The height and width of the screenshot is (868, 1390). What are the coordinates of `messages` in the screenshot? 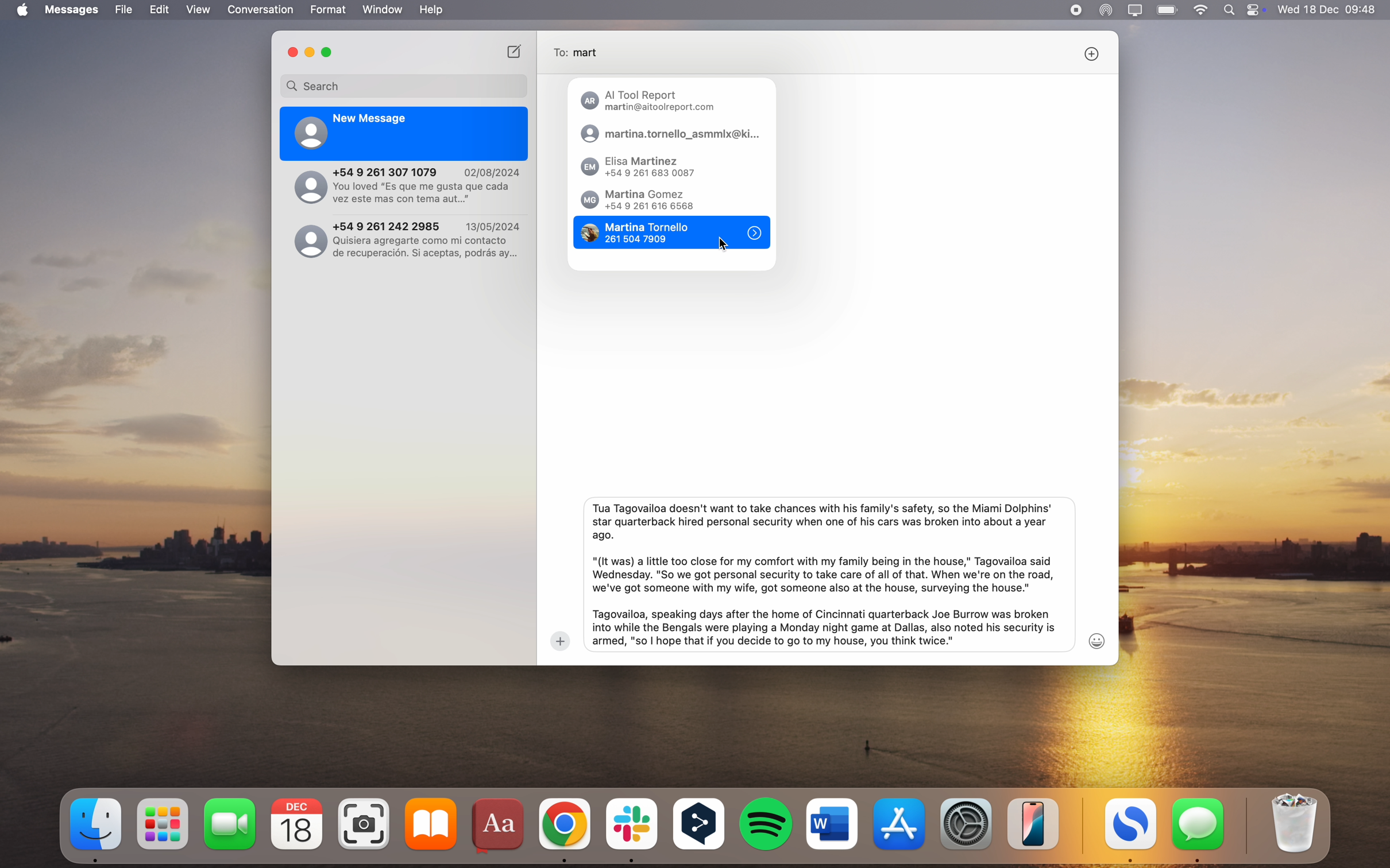 It's located at (1199, 830).